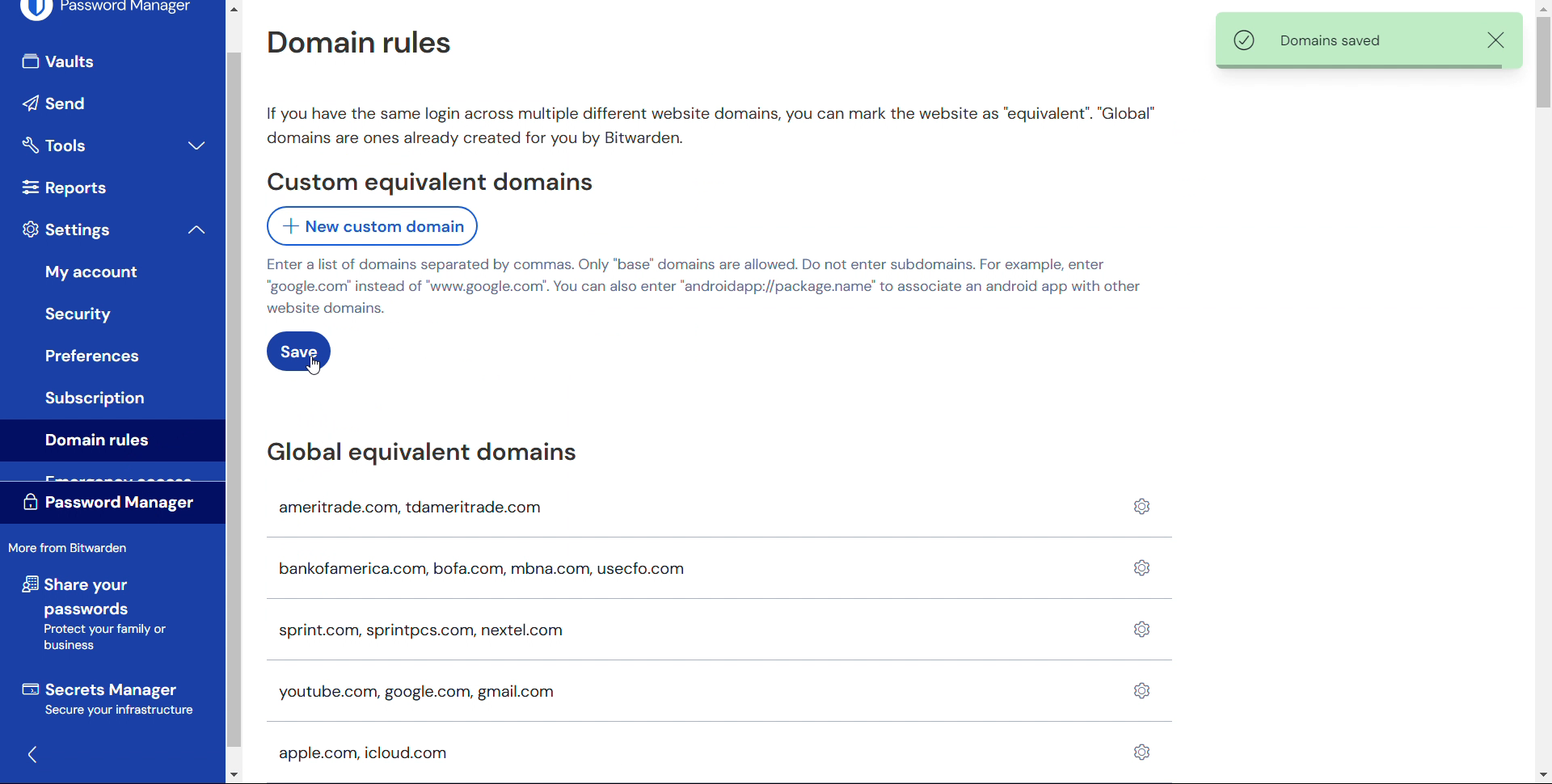 The height and width of the screenshot is (784, 1552). I want to click on save , so click(298, 352).